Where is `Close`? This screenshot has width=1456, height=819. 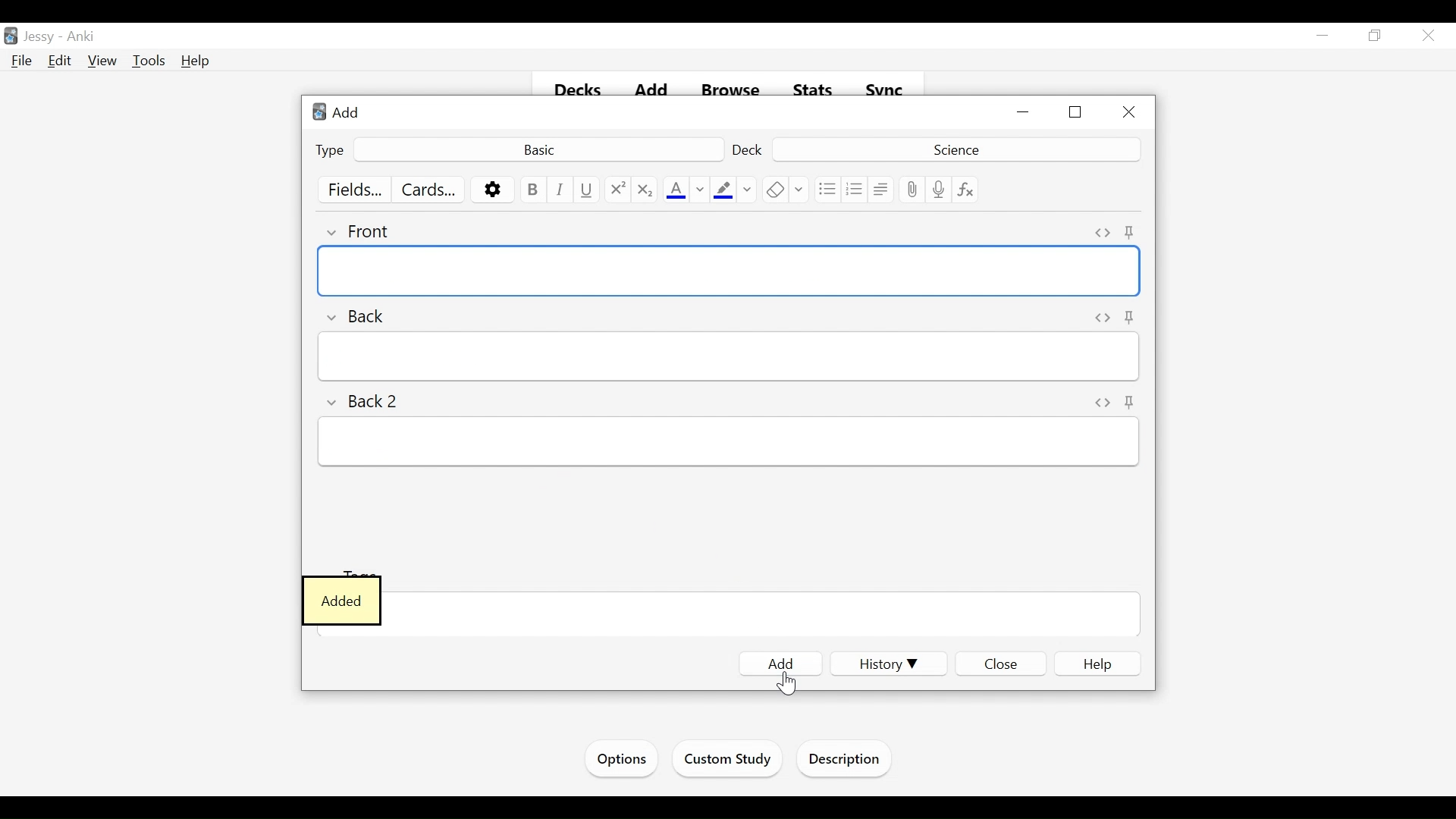 Close is located at coordinates (1426, 37).